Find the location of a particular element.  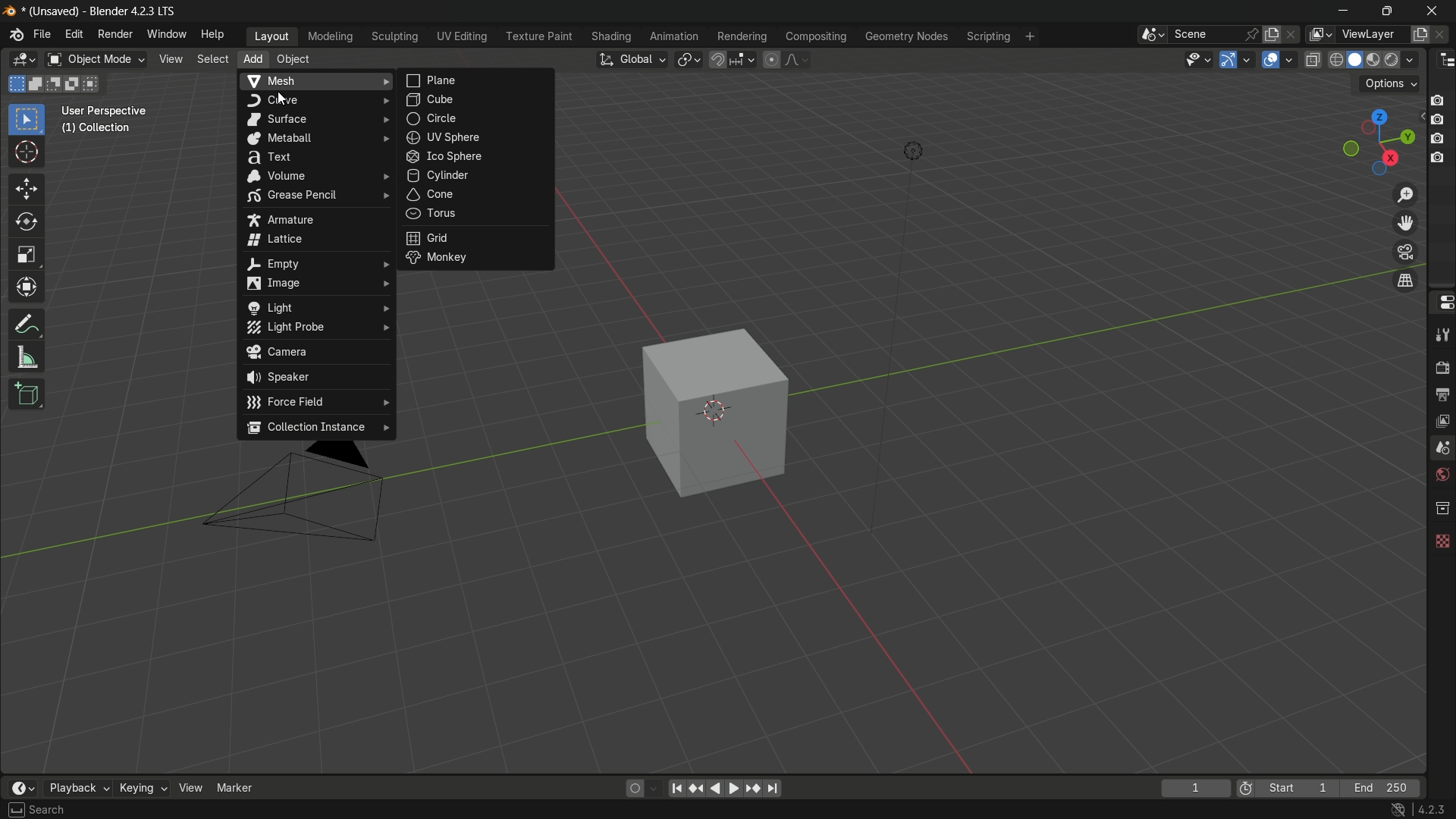

overlays is located at coordinates (1292, 59).